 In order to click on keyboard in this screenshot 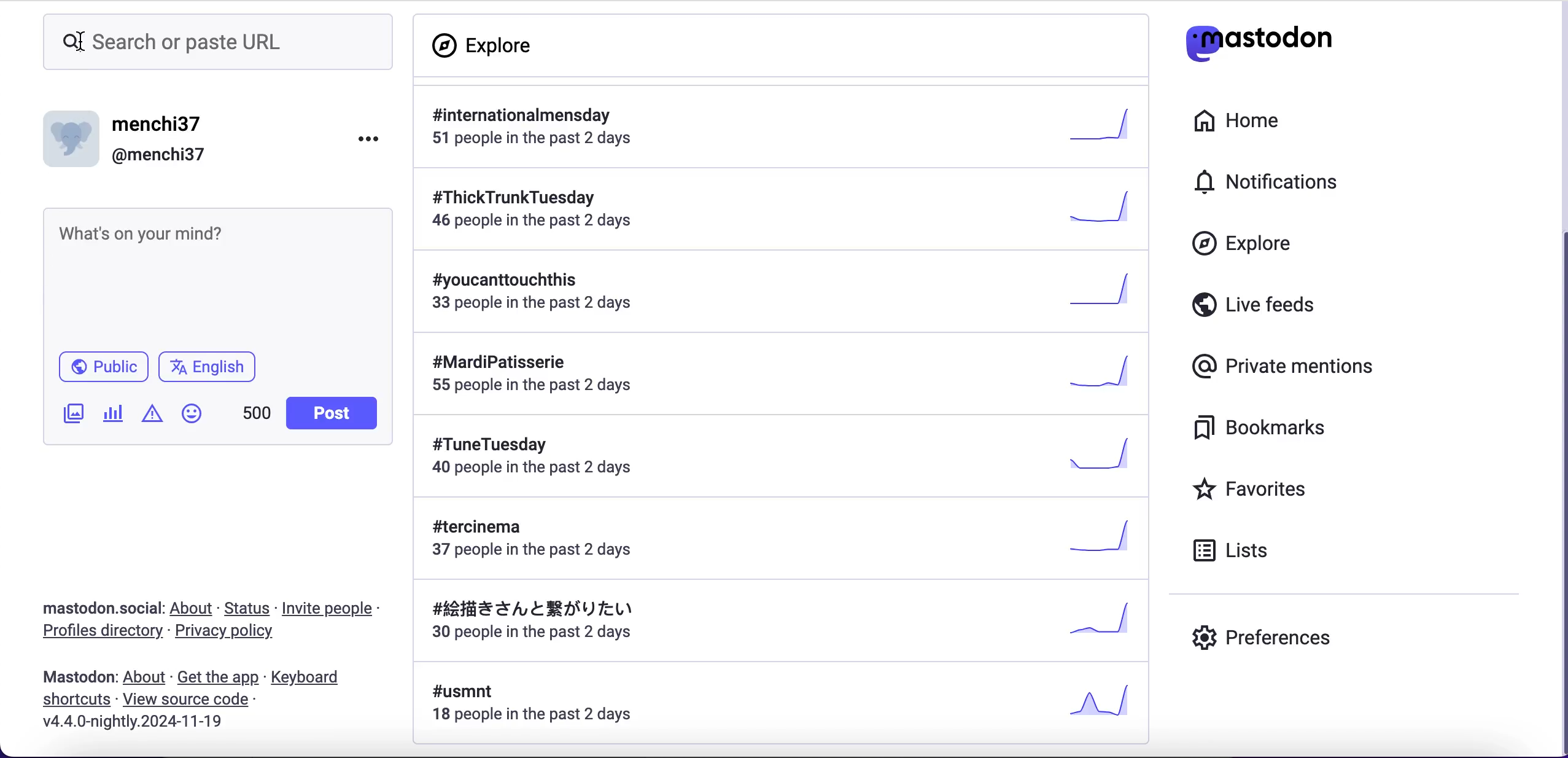, I will do `click(312, 678)`.